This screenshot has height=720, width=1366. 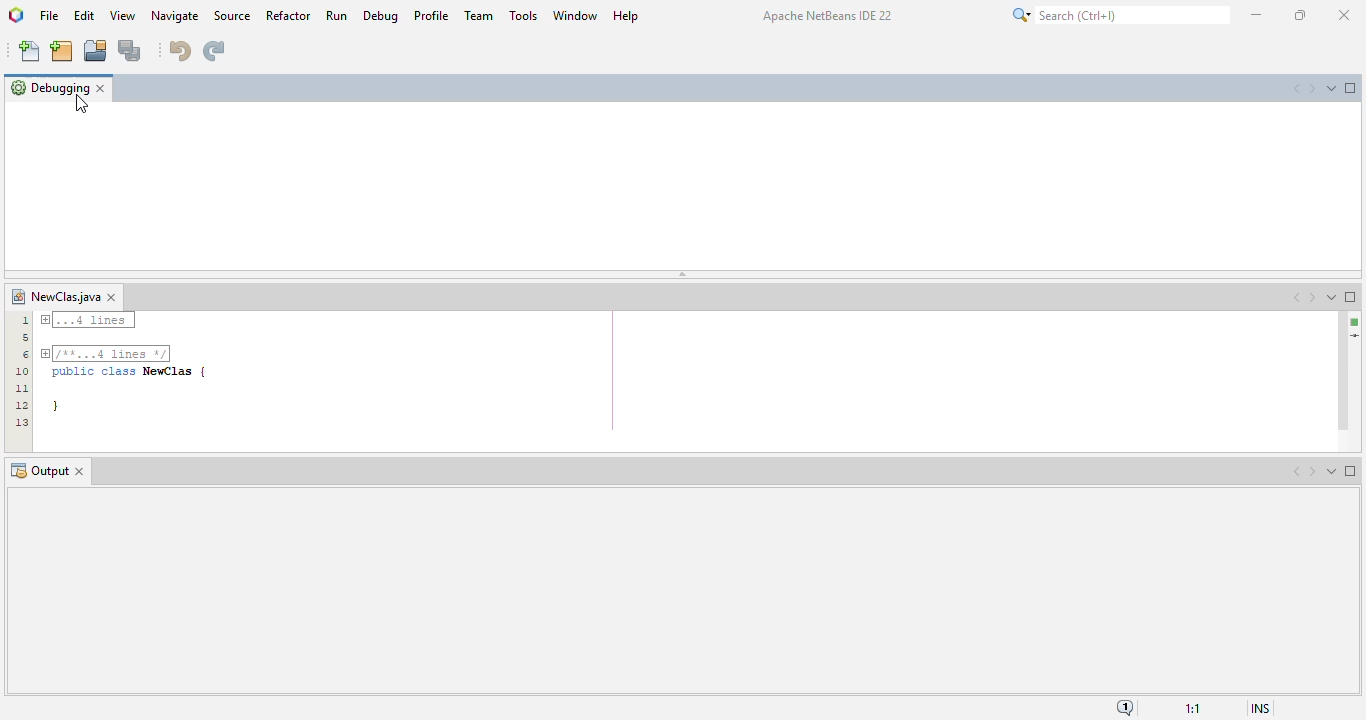 I want to click on scroll documents right, so click(x=1311, y=471).